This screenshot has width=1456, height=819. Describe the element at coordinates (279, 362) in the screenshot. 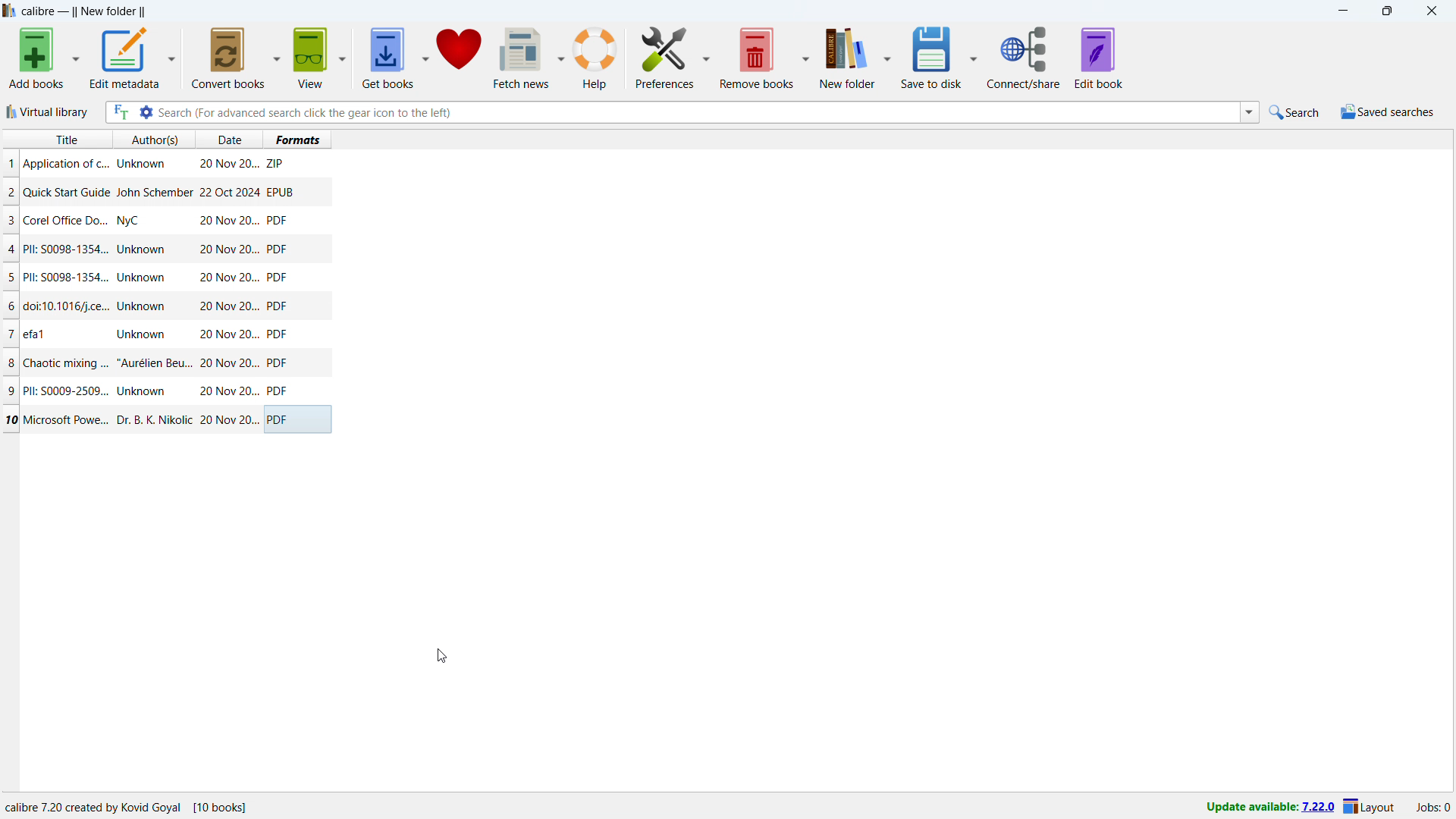

I see `PDF` at that location.